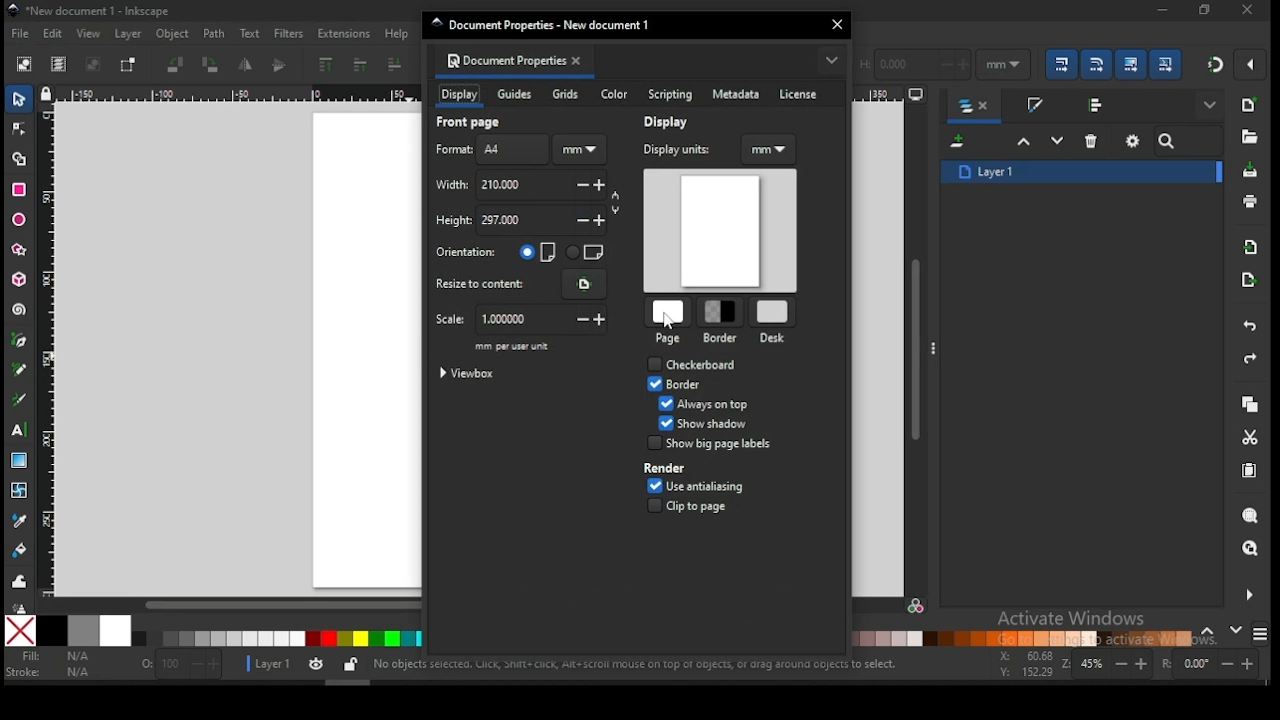 The image size is (1280, 720). What do you see at coordinates (20, 341) in the screenshot?
I see `pen tool` at bounding box center [20, 341].